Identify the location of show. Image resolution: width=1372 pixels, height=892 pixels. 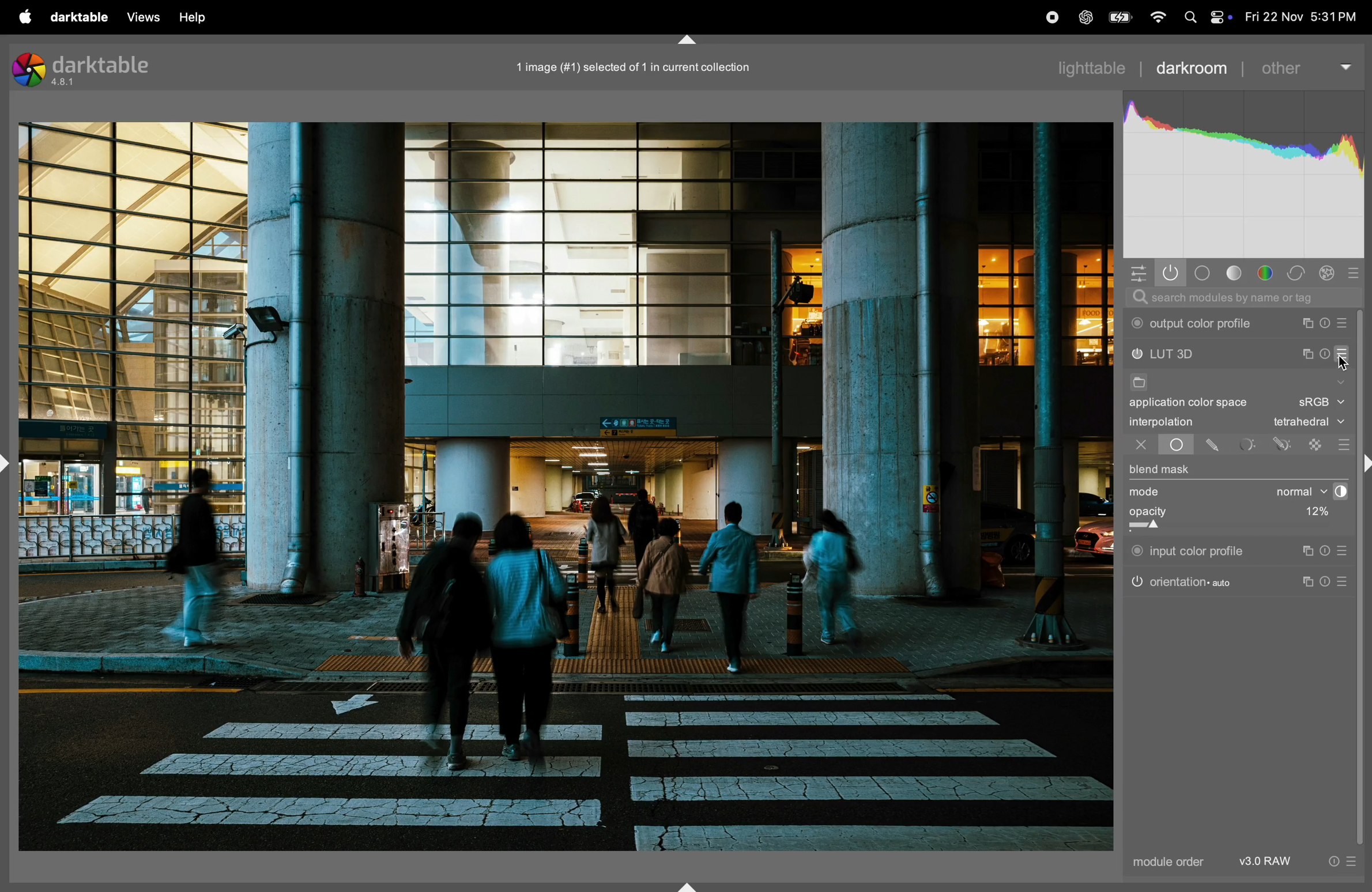
(1339, 380).